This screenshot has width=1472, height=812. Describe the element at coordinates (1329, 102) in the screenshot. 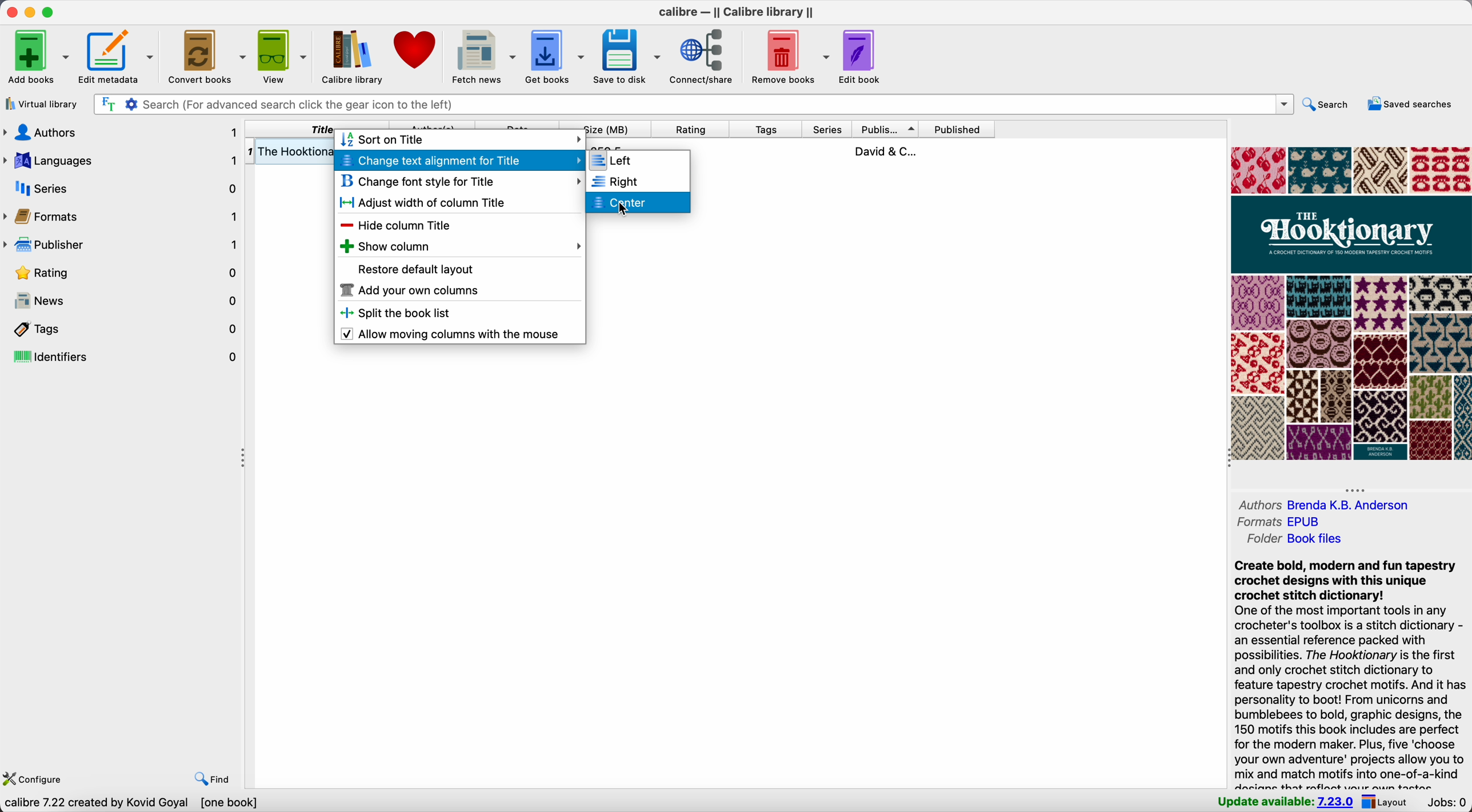

I see `search` at that location.